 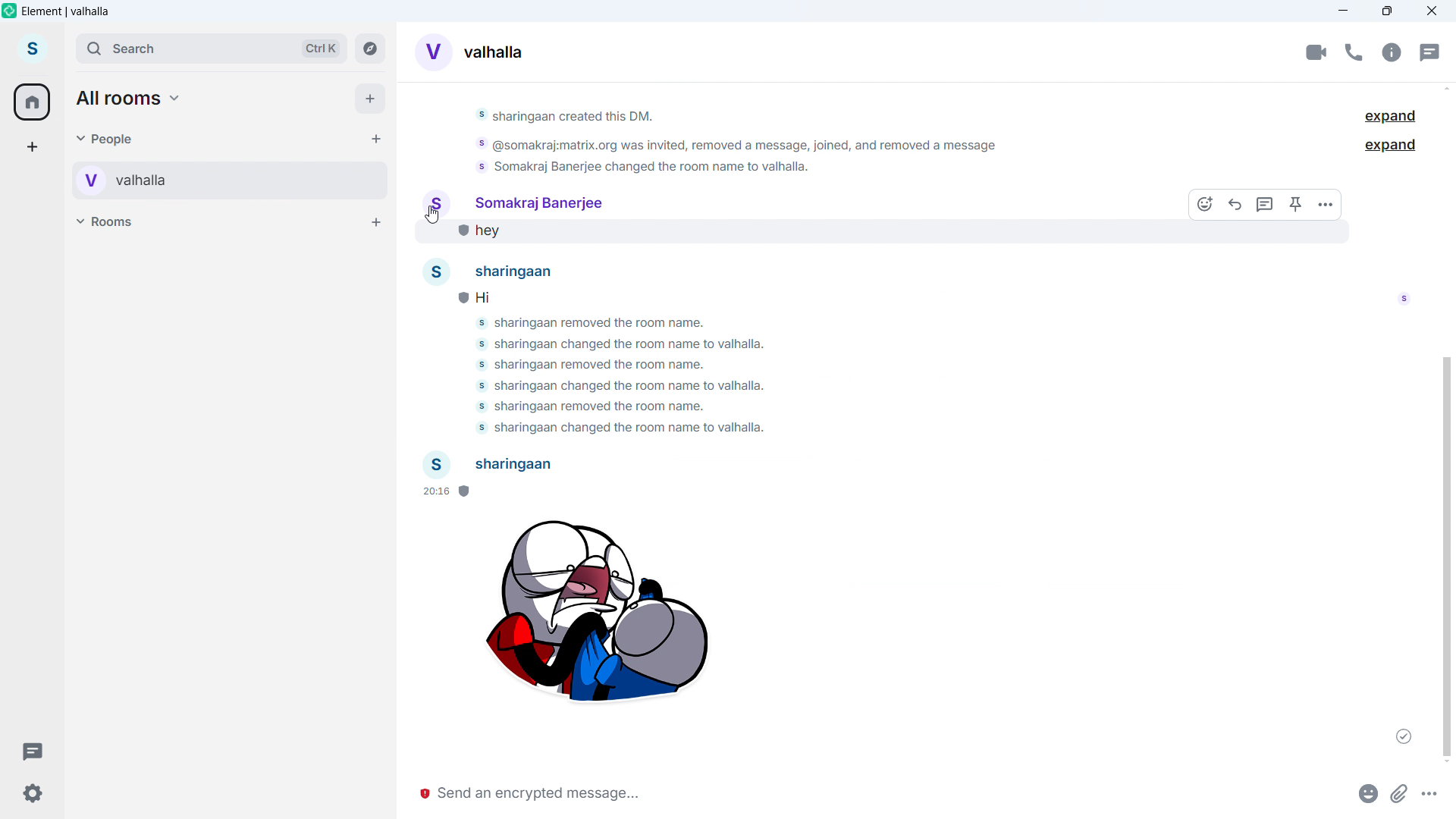 I want to click on Write message, so click(x=636, y=792).